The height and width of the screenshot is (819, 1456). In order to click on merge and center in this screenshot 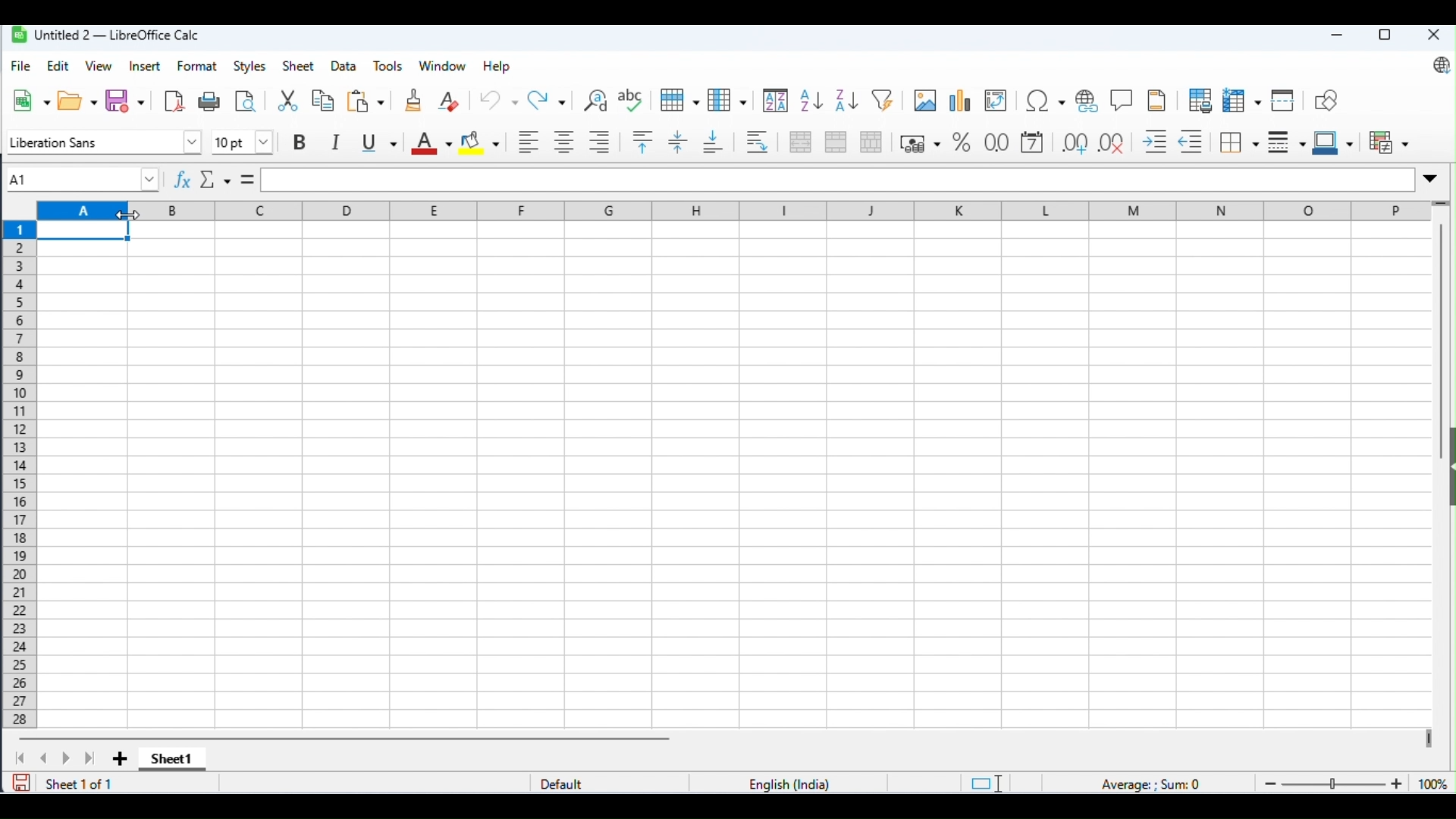, I will do `click(801, 142)`.